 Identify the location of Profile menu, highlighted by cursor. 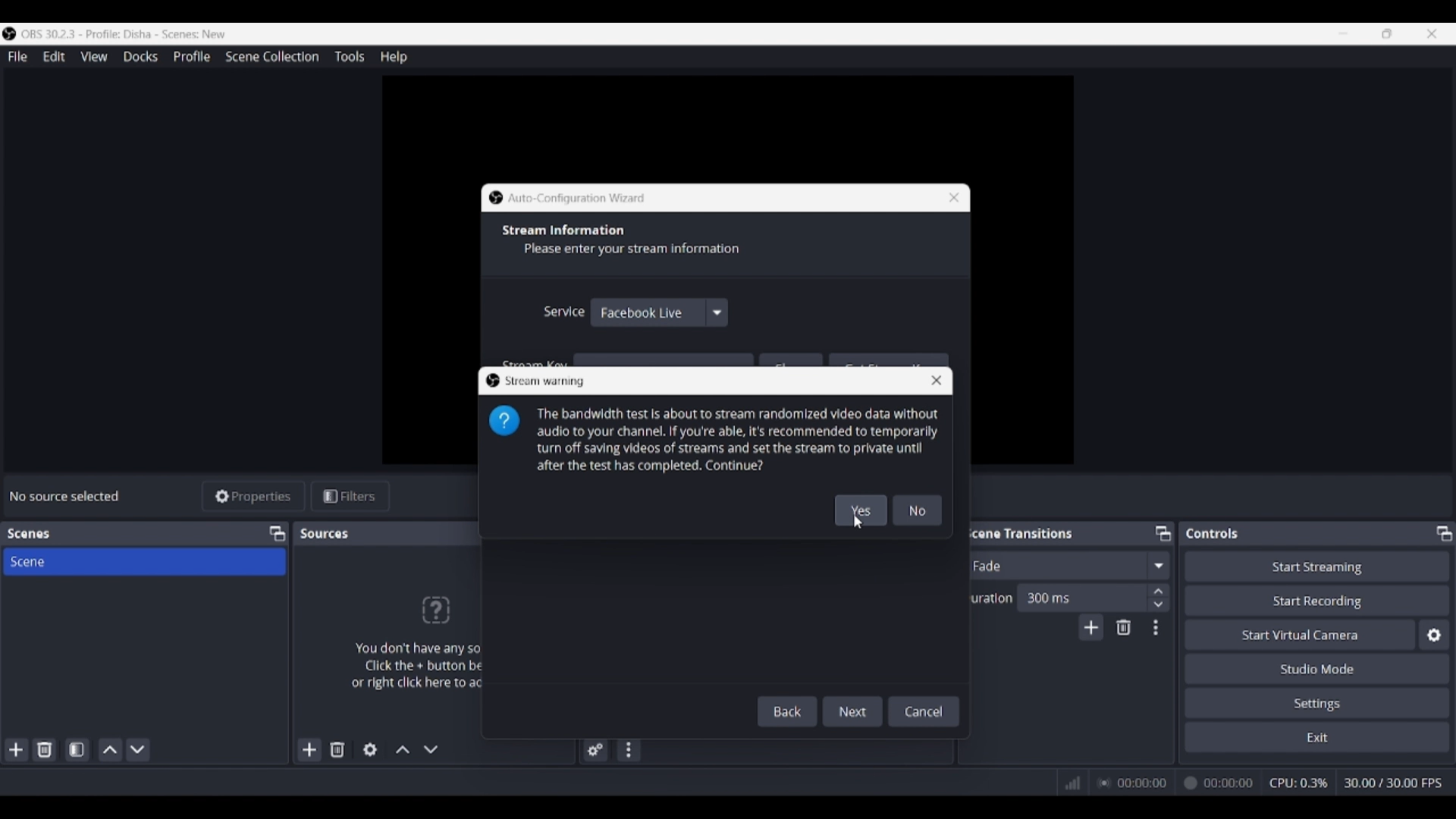
(192, 57).